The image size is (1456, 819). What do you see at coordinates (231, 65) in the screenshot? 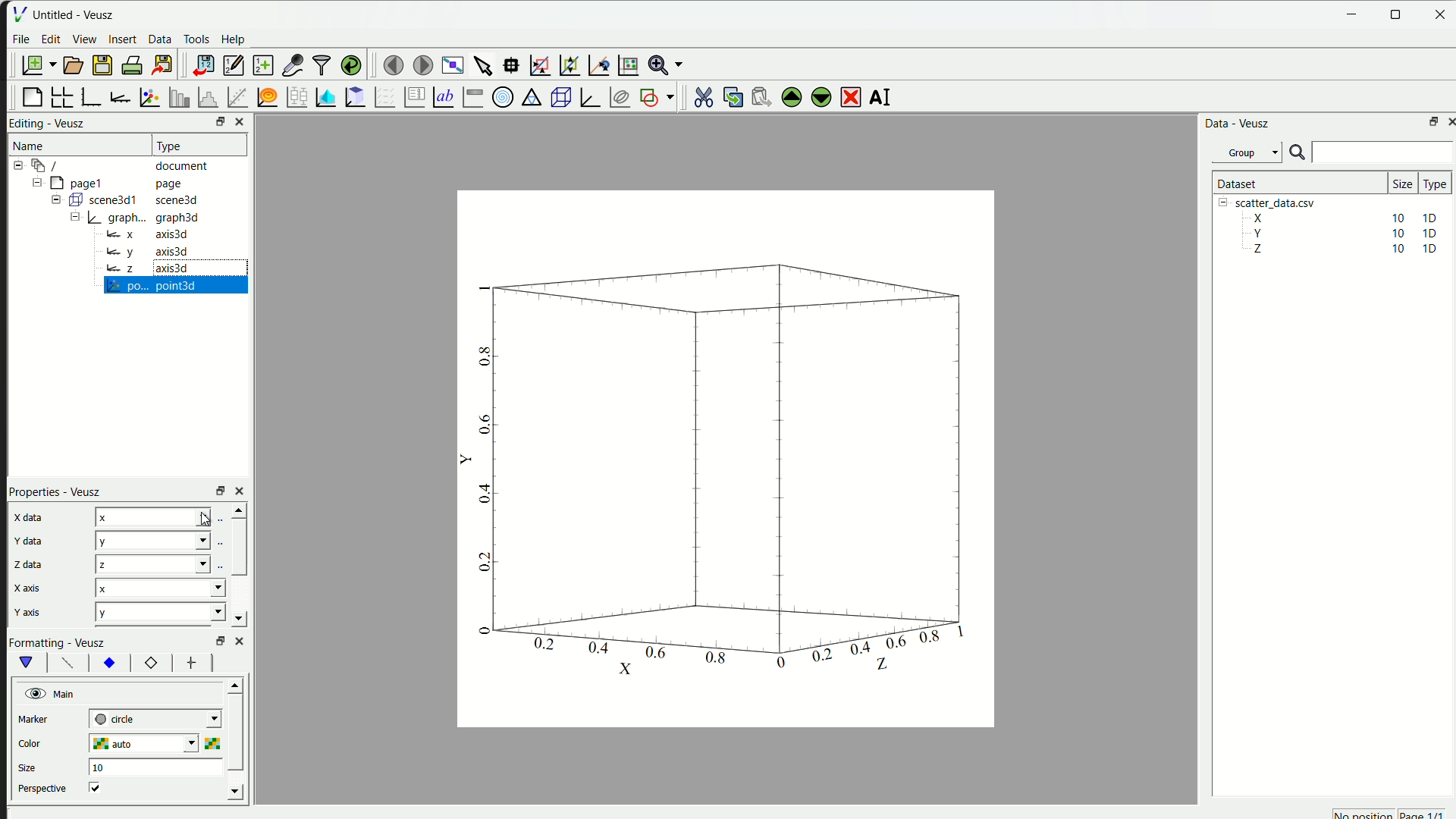
I see `editor` at bounding box center [231, 65].